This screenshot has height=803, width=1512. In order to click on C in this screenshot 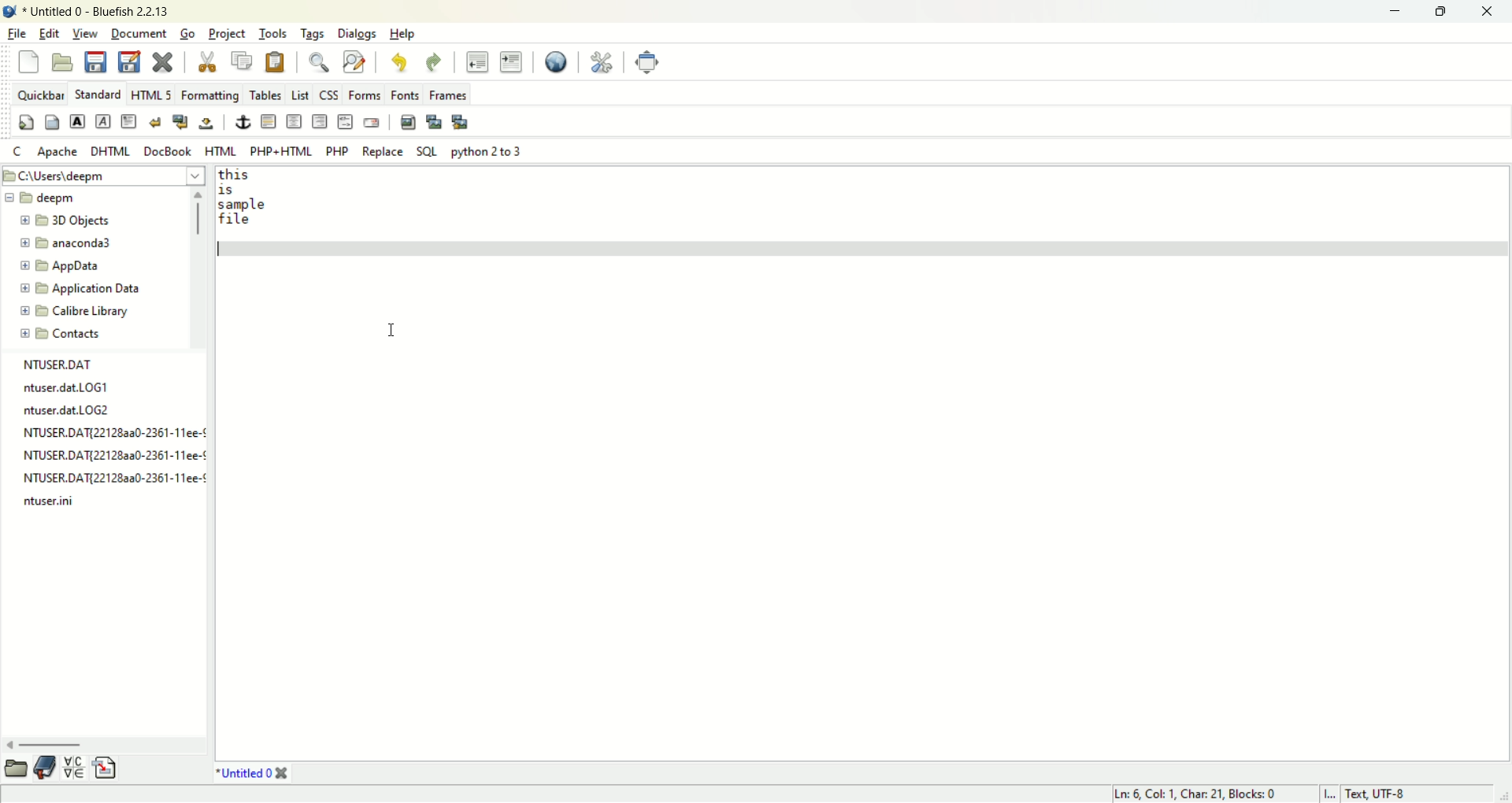, I will do `click(16, 152)`.